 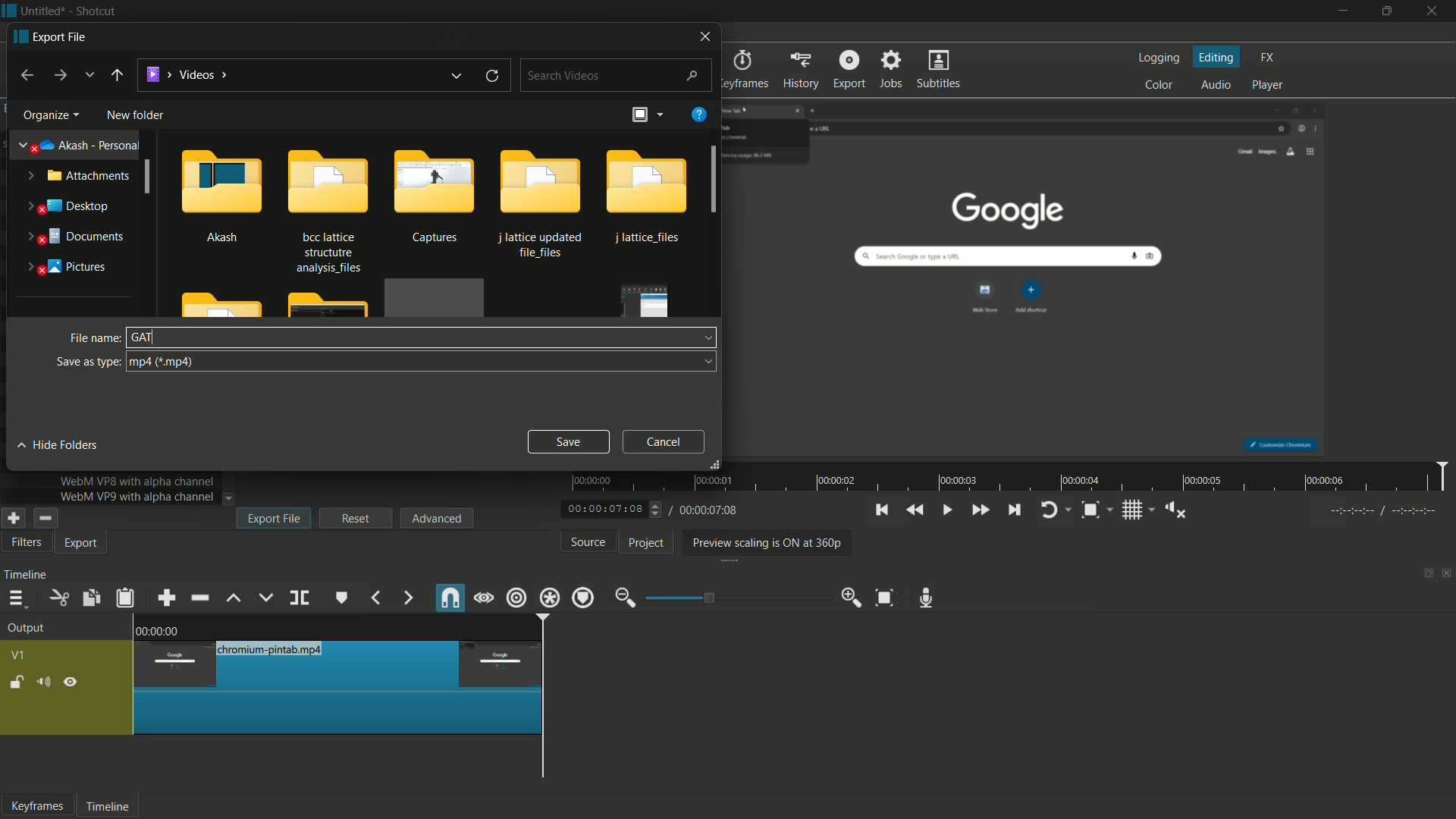 I want to click on history, so click(x=800, y=69).